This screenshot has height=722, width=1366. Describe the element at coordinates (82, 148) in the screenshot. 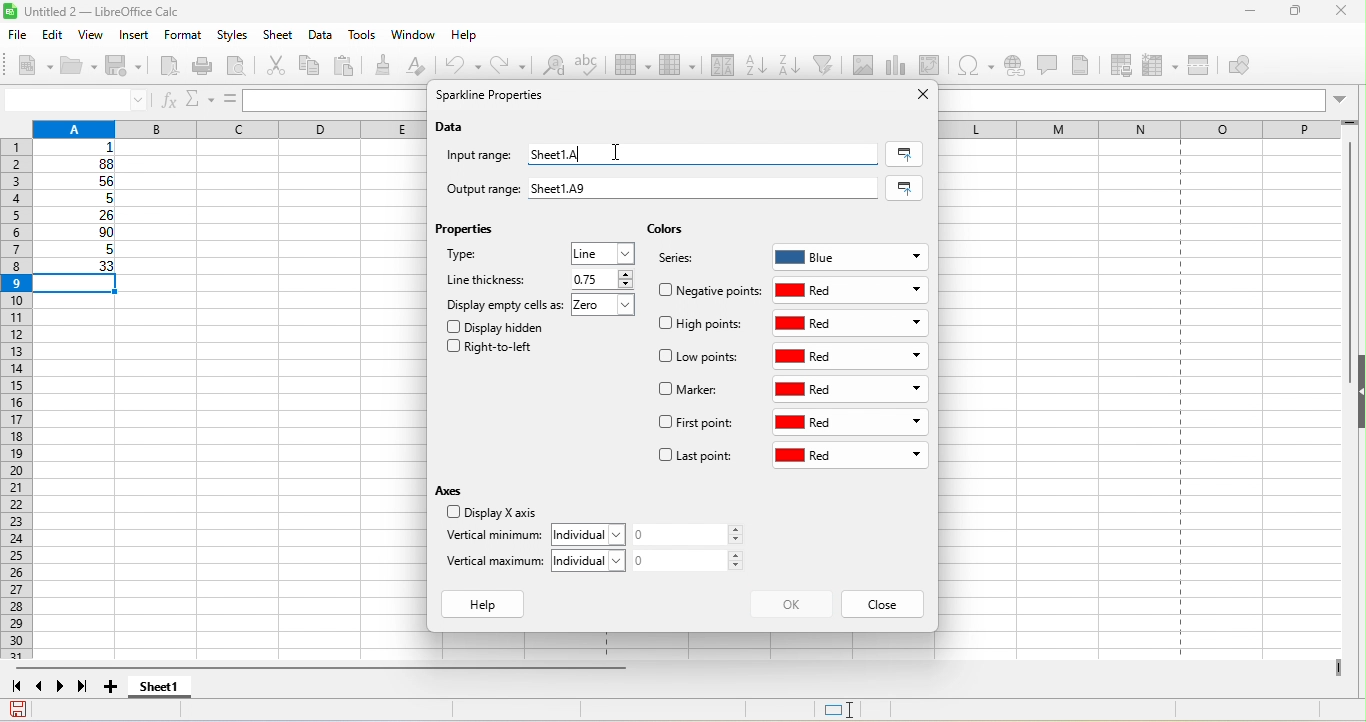

I see `1` at that location.